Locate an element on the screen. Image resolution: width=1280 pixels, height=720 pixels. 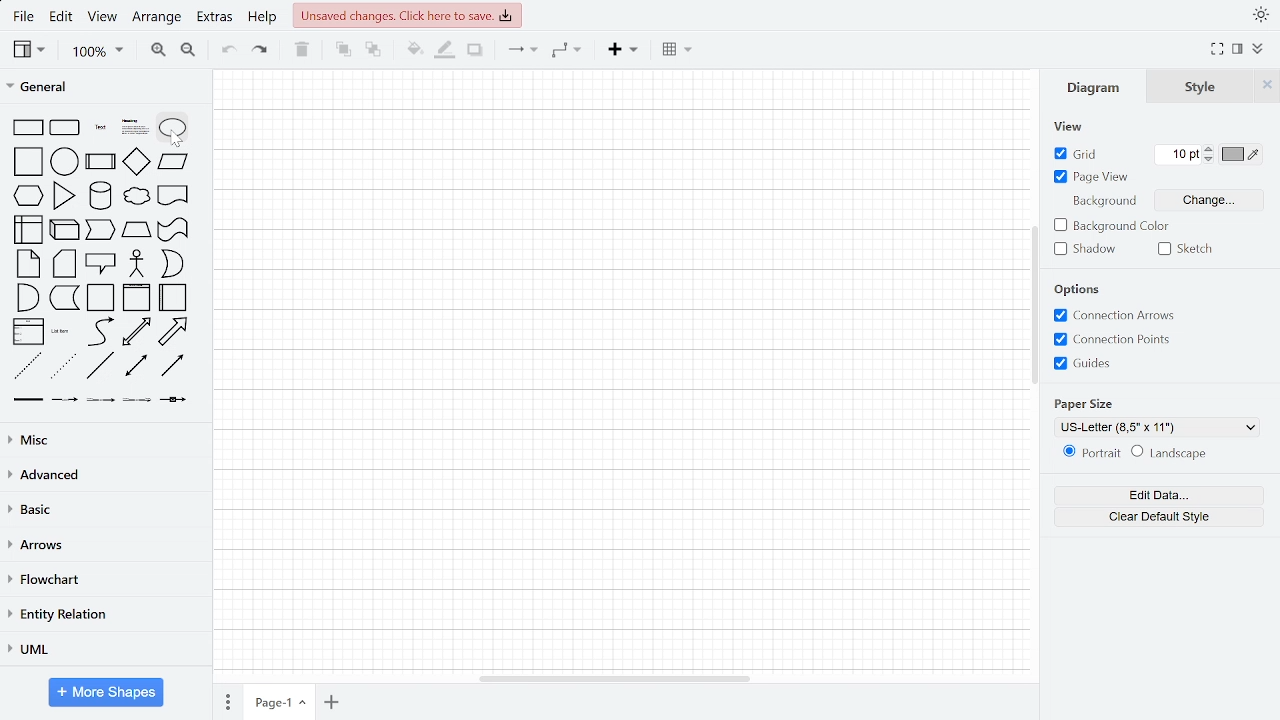
General is located at coordinates (102, 89).